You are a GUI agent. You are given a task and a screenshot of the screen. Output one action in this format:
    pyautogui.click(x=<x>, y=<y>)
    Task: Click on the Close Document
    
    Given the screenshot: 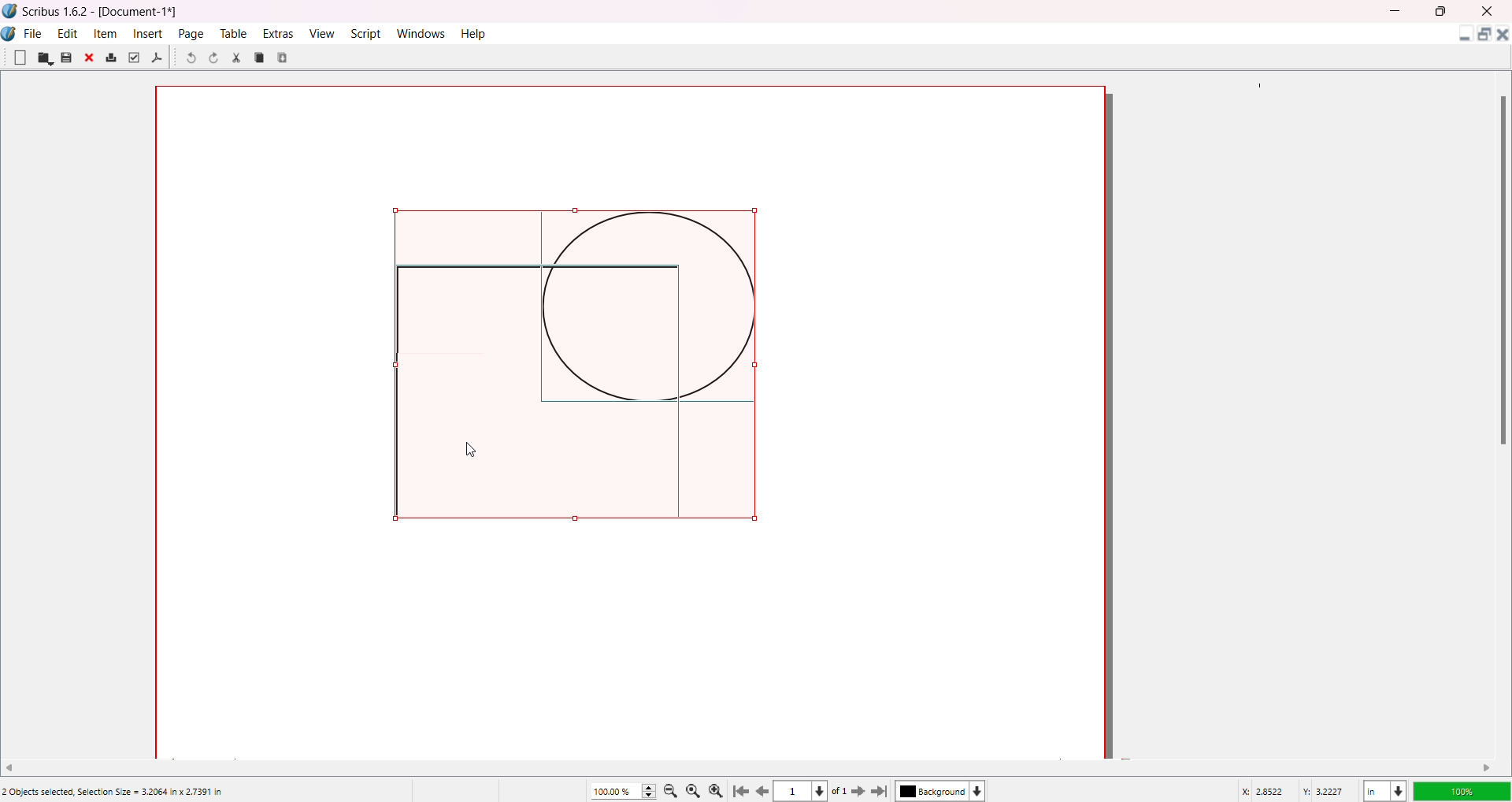 What is the action you would take?
    pyautogui.click(x=1503, y=37)
    